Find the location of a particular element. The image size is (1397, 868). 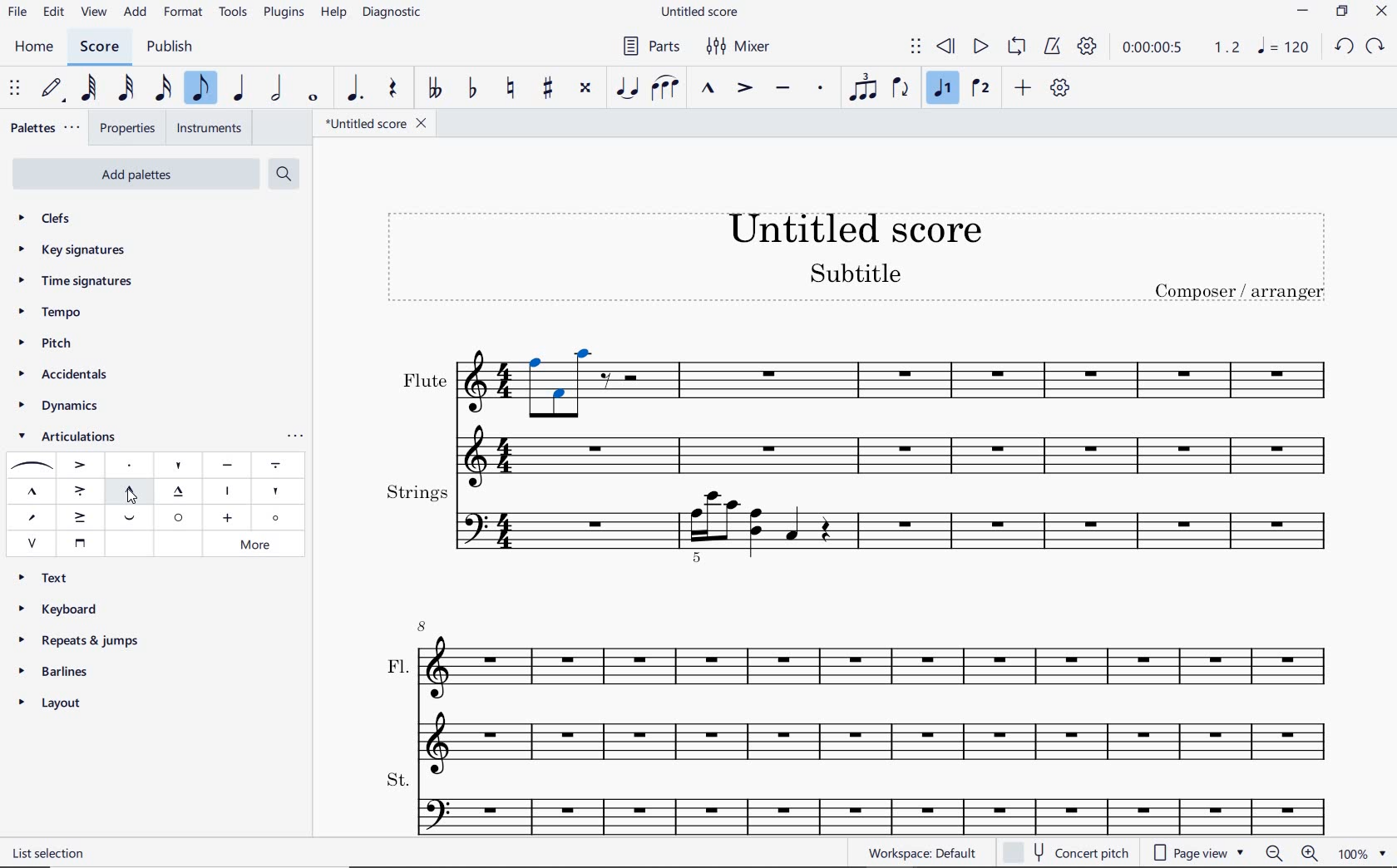

concert pitch is located at coordinates (1068, 851).